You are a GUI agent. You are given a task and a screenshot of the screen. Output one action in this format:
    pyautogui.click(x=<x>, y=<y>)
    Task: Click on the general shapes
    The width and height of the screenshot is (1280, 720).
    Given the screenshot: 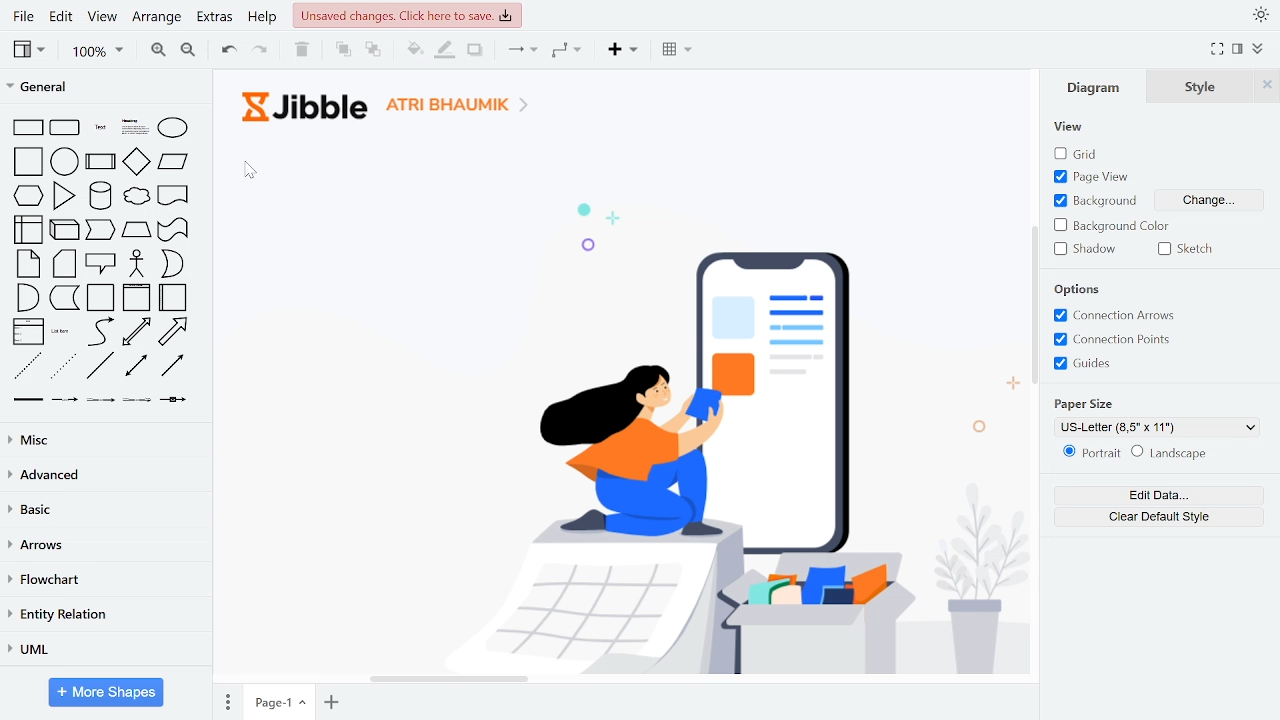 What is the action you would take?
    pyautogui.click(x=137, y=296)
    